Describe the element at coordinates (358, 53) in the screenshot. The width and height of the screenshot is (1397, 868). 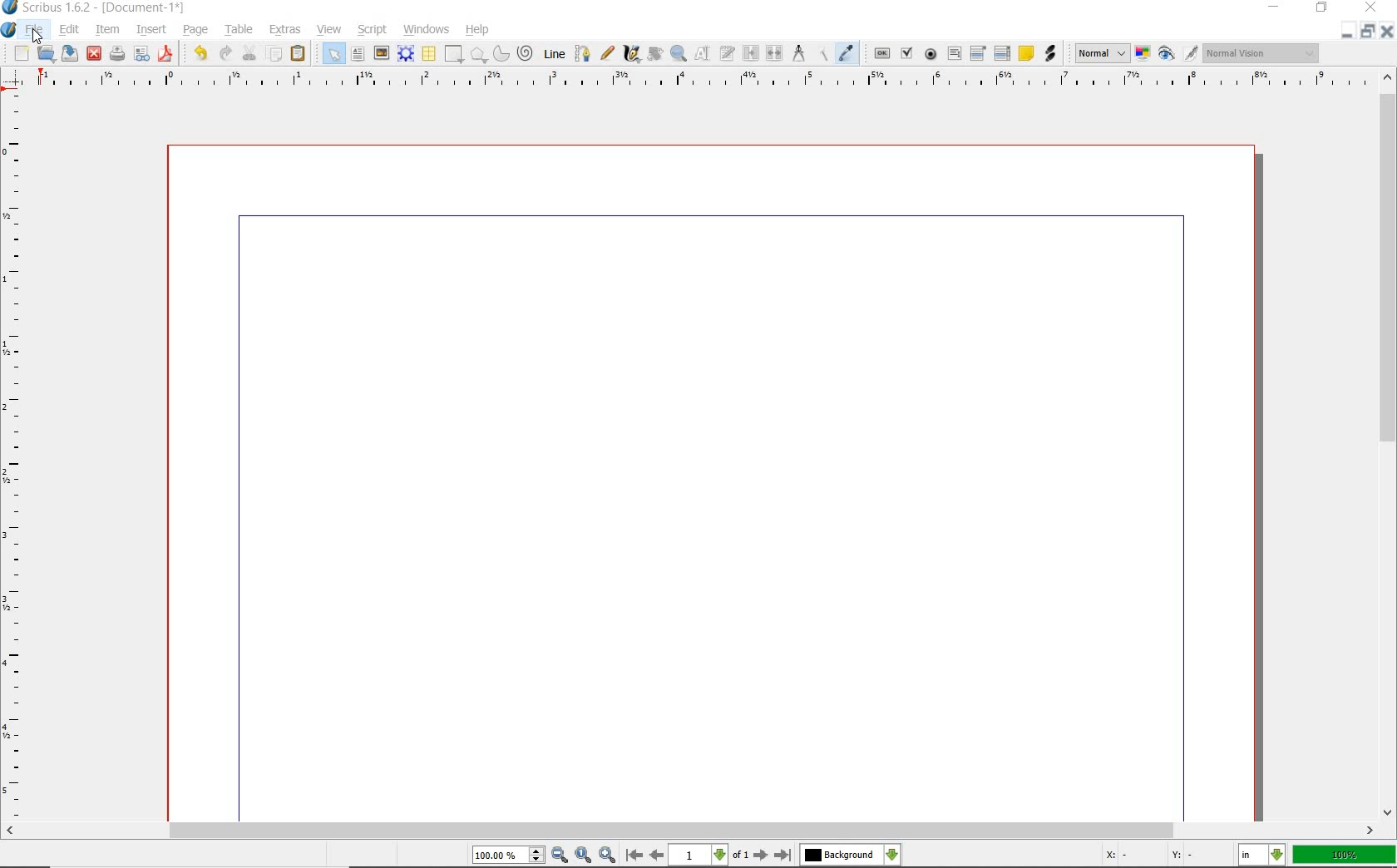
I see `text frame` at that location.